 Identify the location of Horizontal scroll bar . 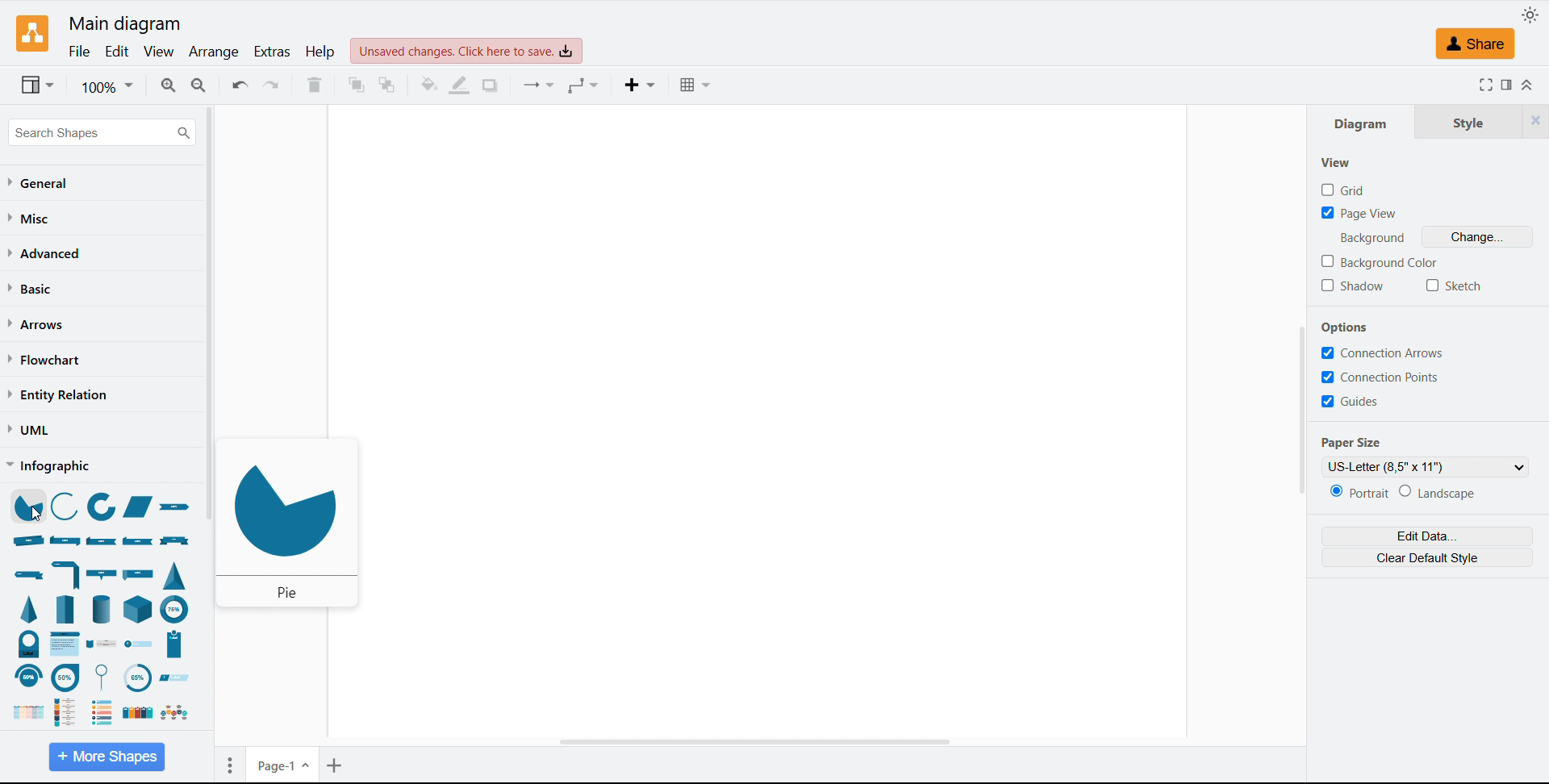
(758, 743).